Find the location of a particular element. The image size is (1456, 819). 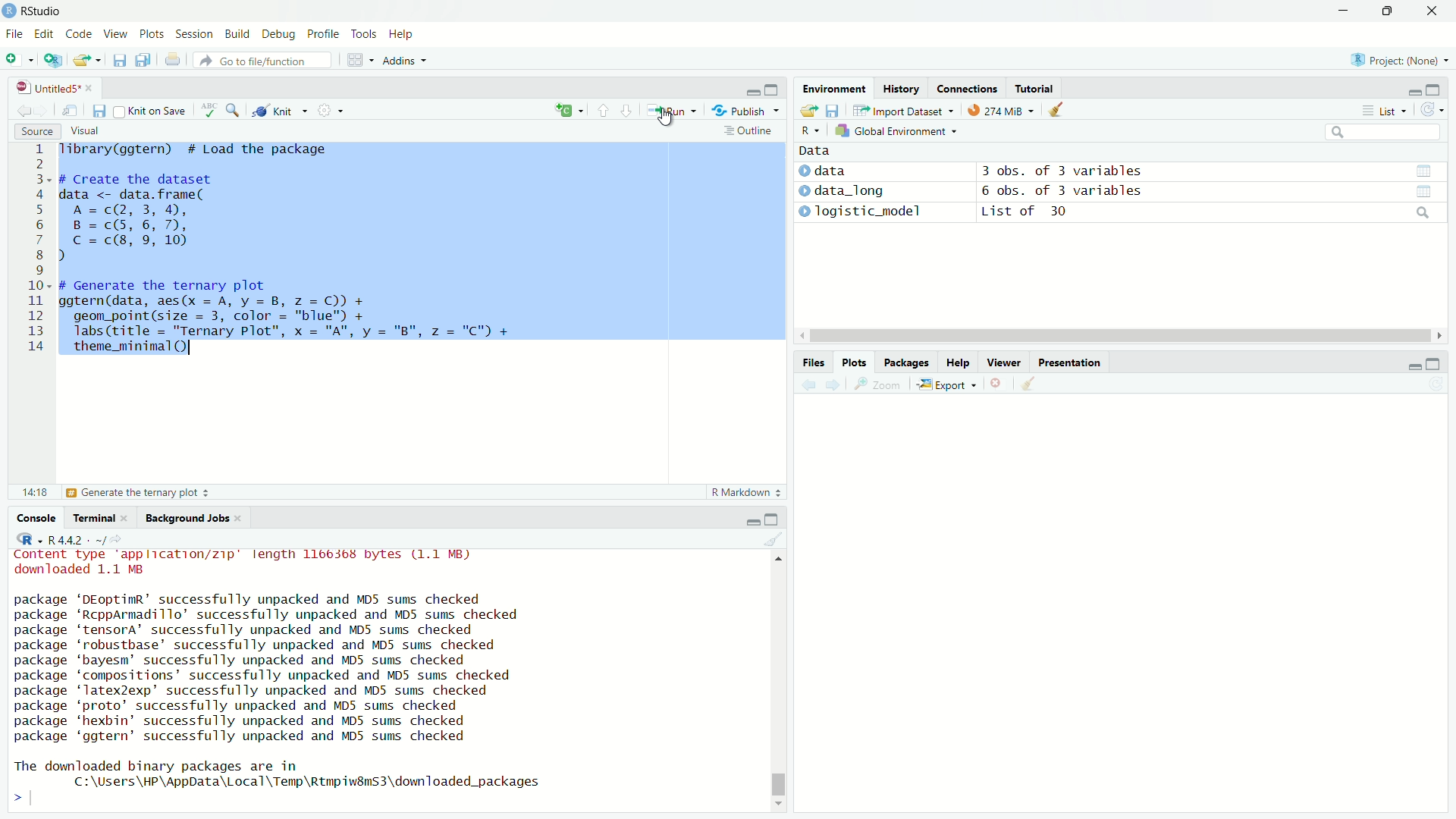

| Project: (None) is located at coordinates (1392, 60).